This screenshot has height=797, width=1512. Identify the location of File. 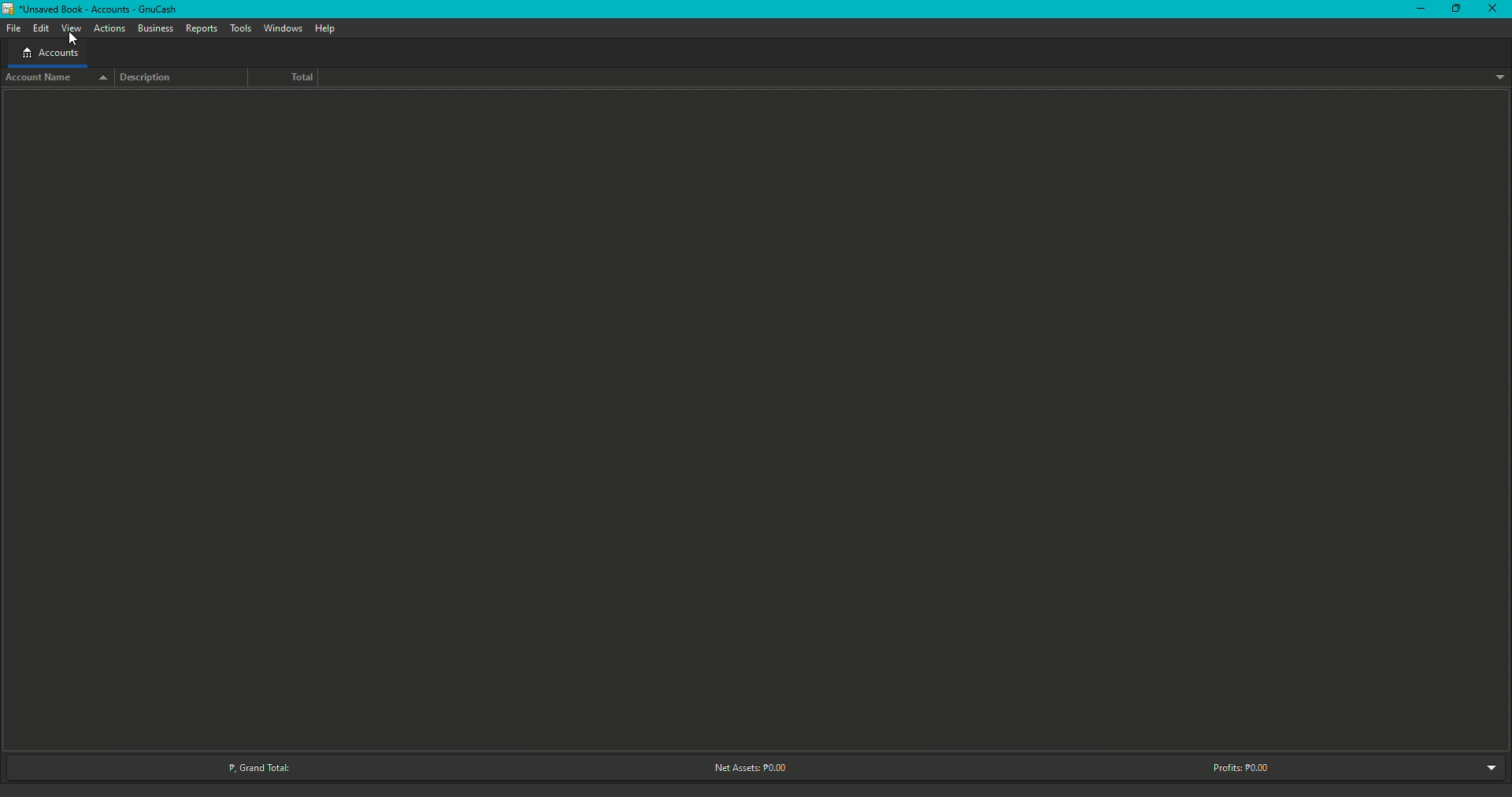
(12, 26).